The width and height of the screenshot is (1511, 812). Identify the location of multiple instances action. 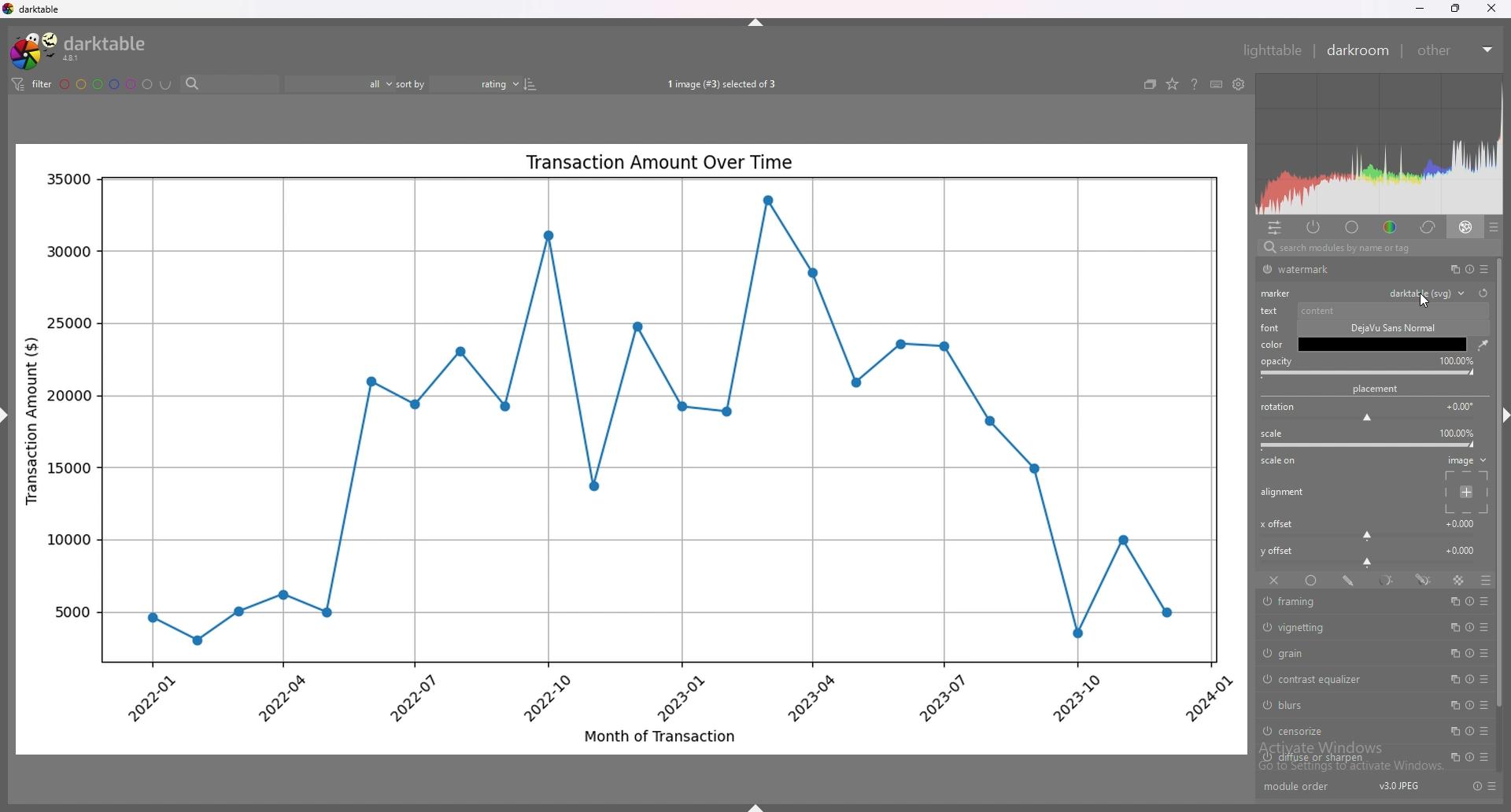
(1454, 600).